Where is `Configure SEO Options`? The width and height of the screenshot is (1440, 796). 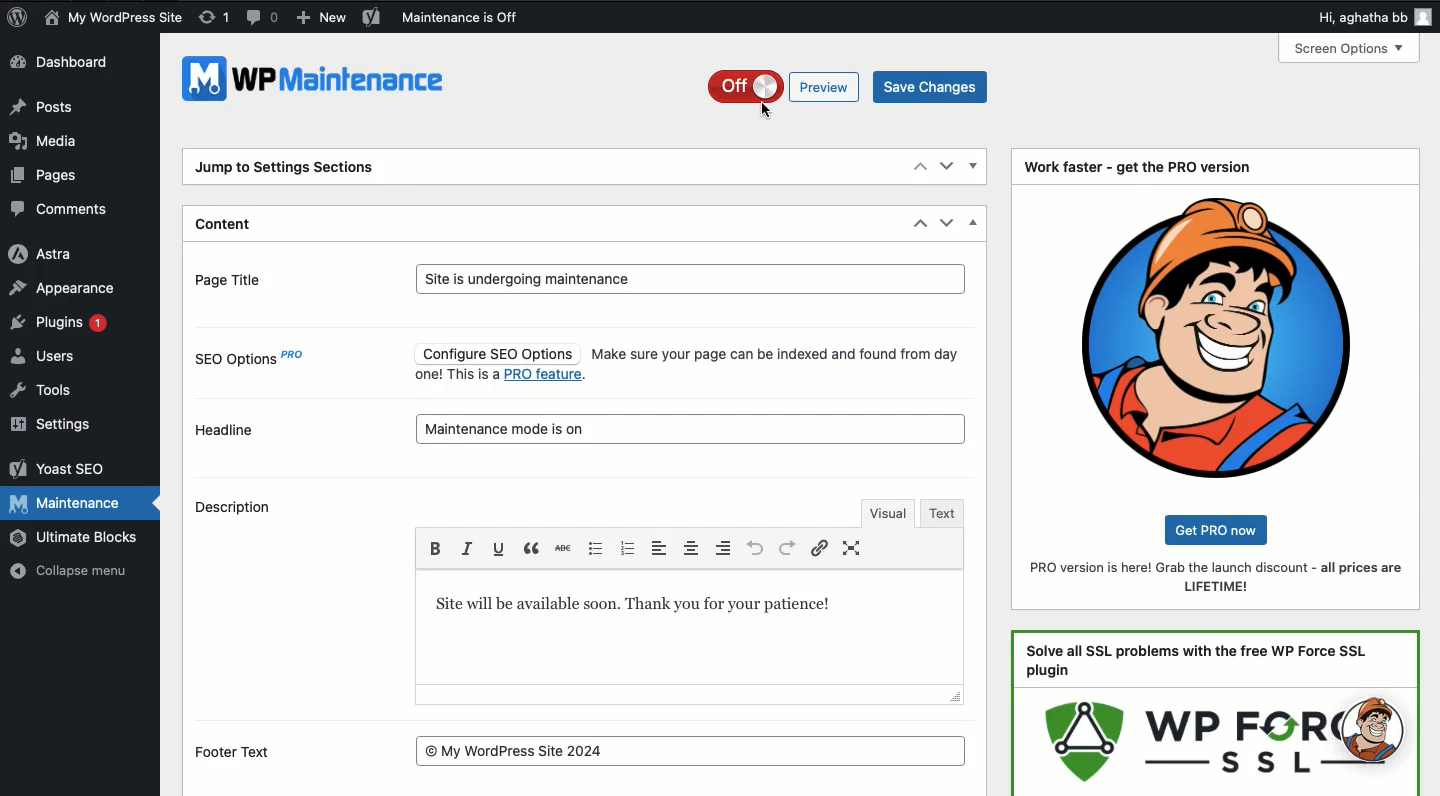
Configure SEO Options is located at coordinates (495, 353).